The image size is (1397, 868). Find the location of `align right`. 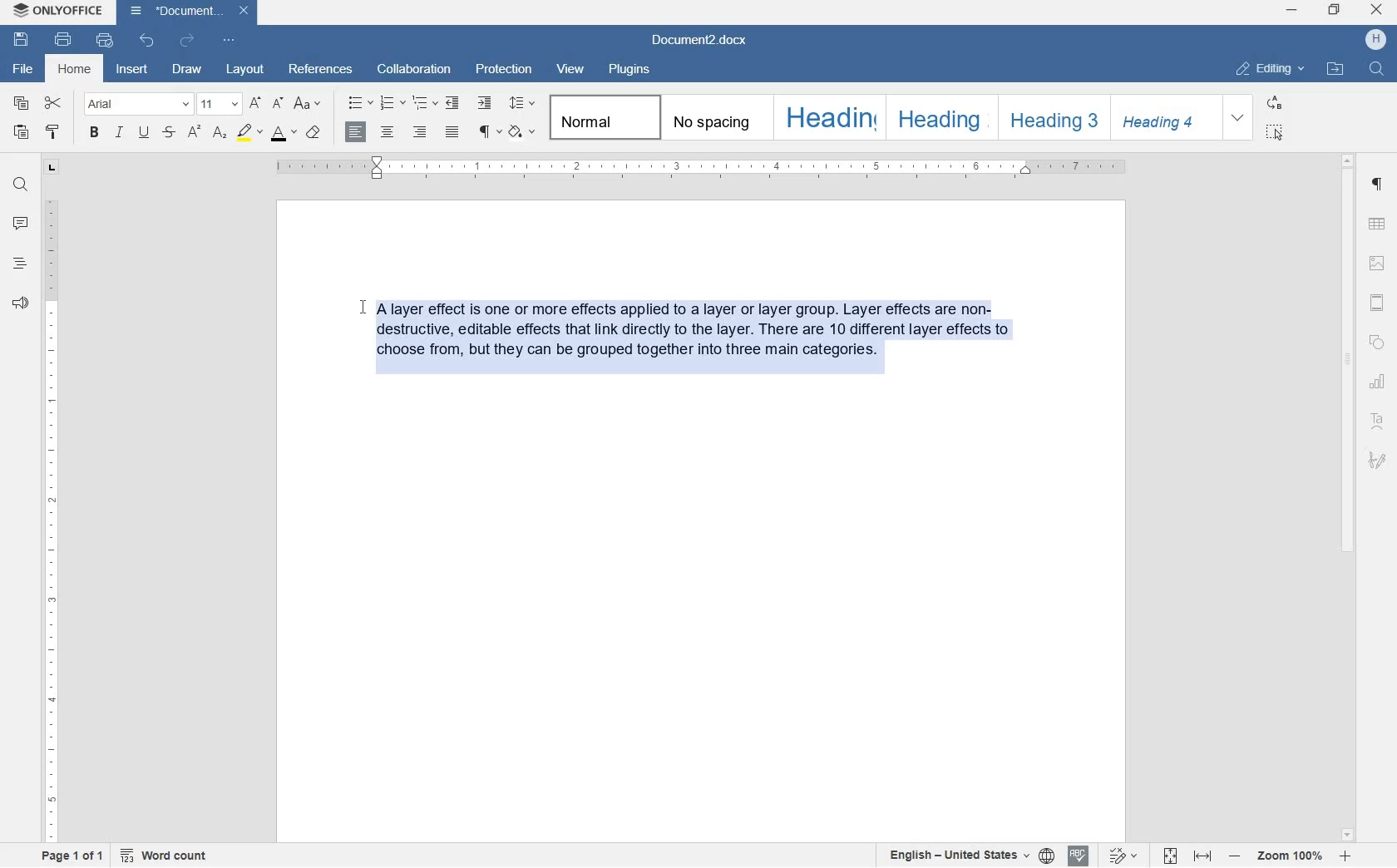

align right is located at coordinates (419, 132).